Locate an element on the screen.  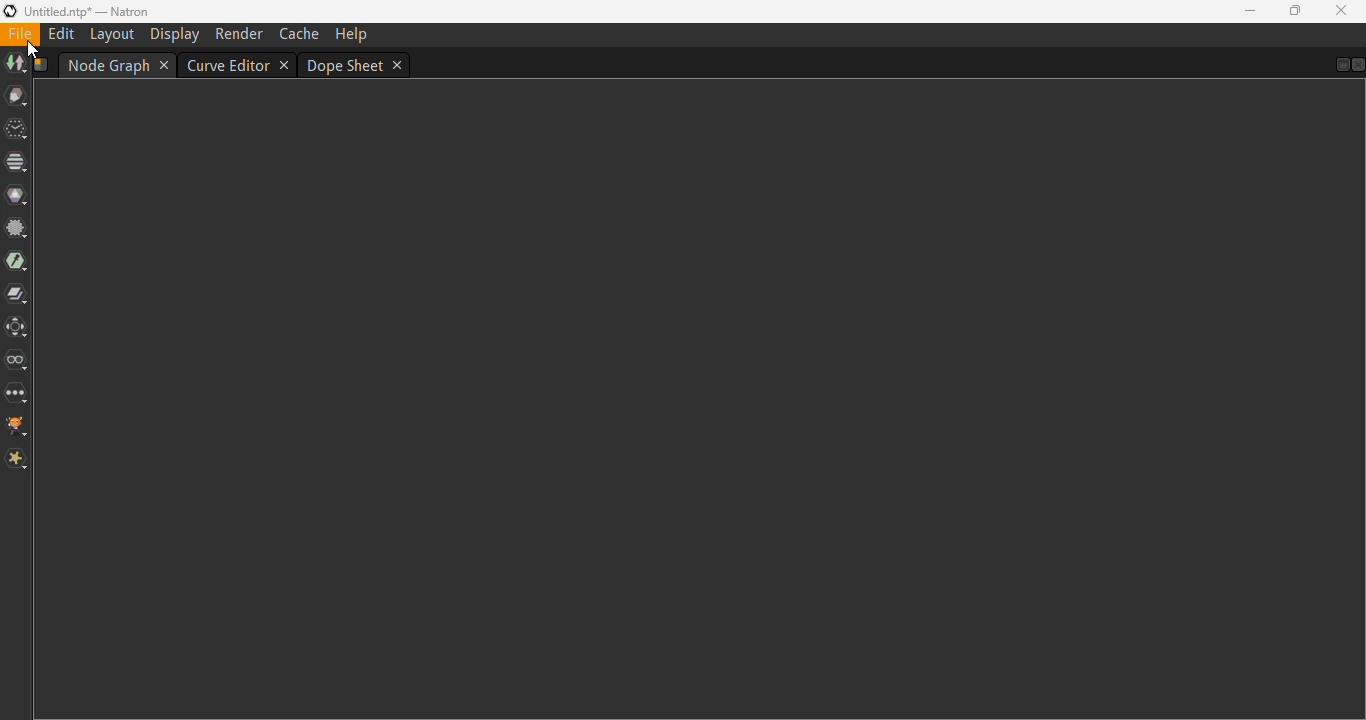
curve editor is located at coordinates (227, 66).